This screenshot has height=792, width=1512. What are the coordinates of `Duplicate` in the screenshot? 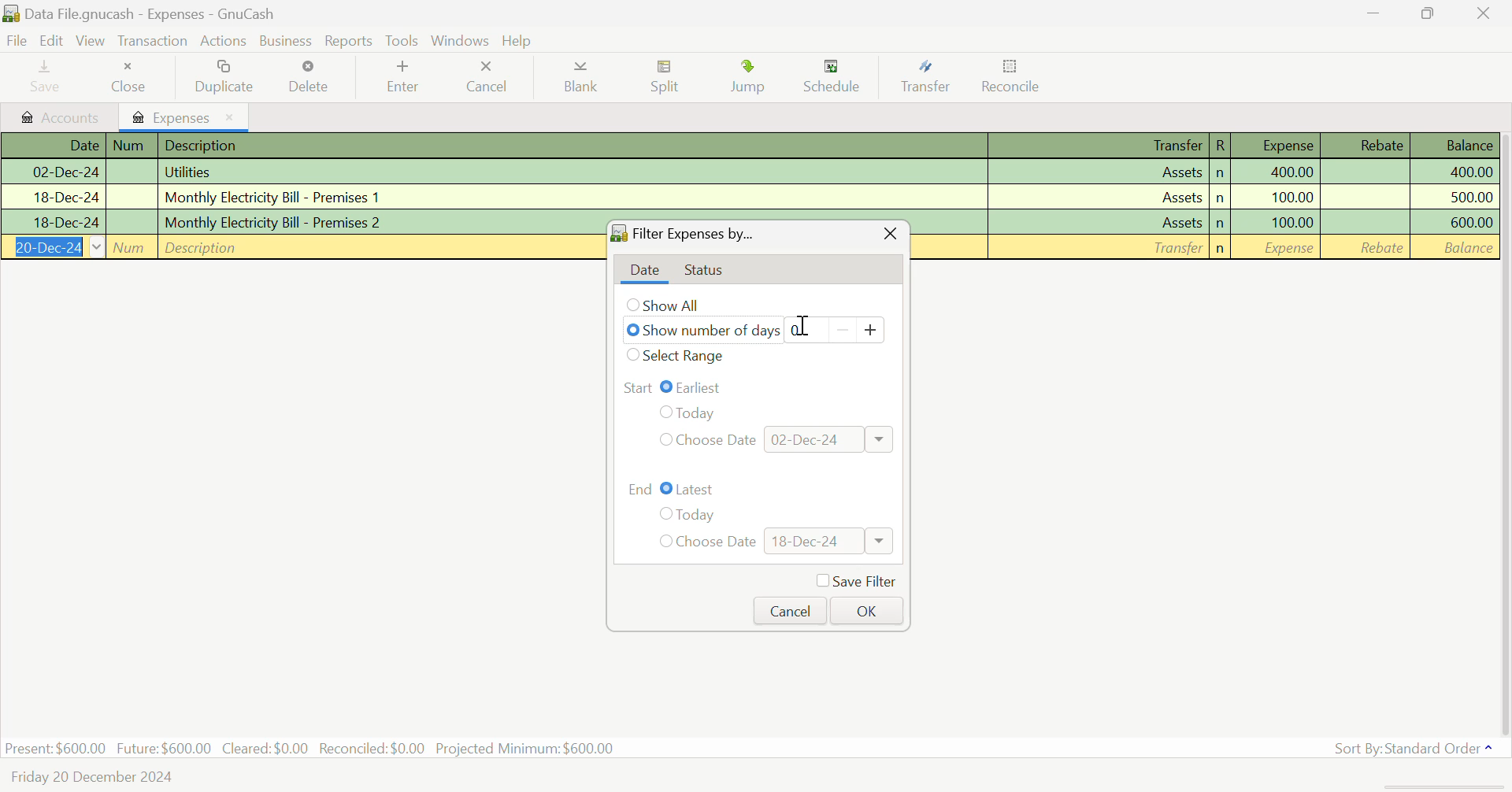 It's located at (224, 76).